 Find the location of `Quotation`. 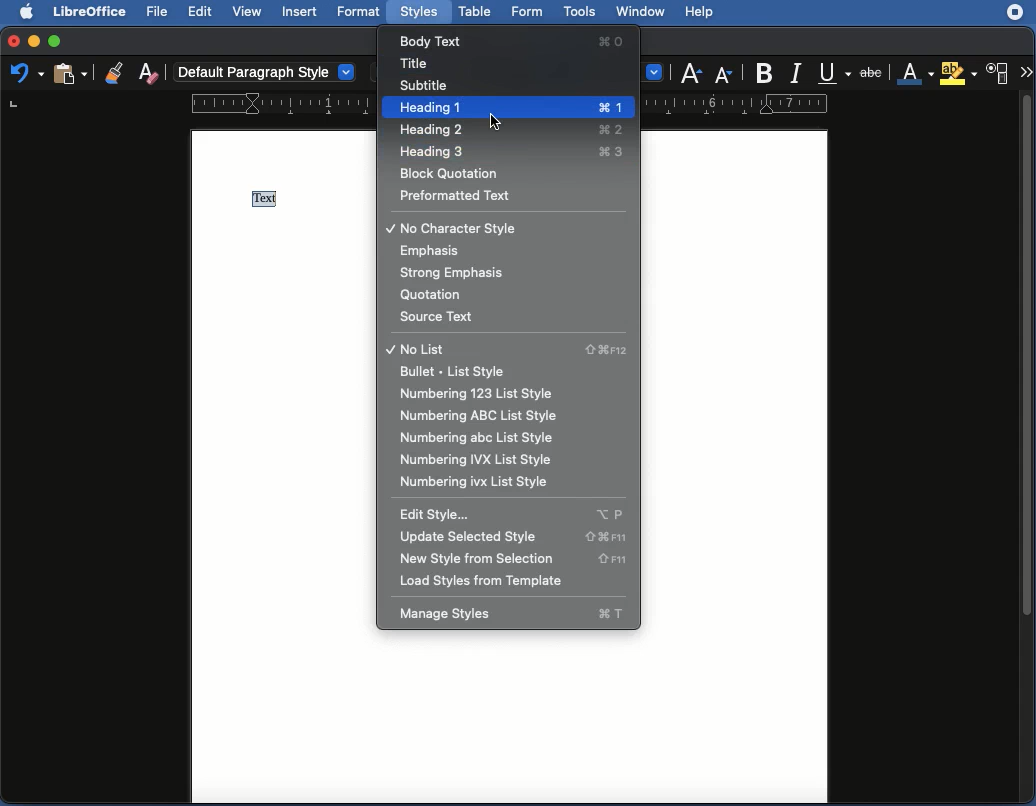

Quotation is located at coordinates (437, 296).